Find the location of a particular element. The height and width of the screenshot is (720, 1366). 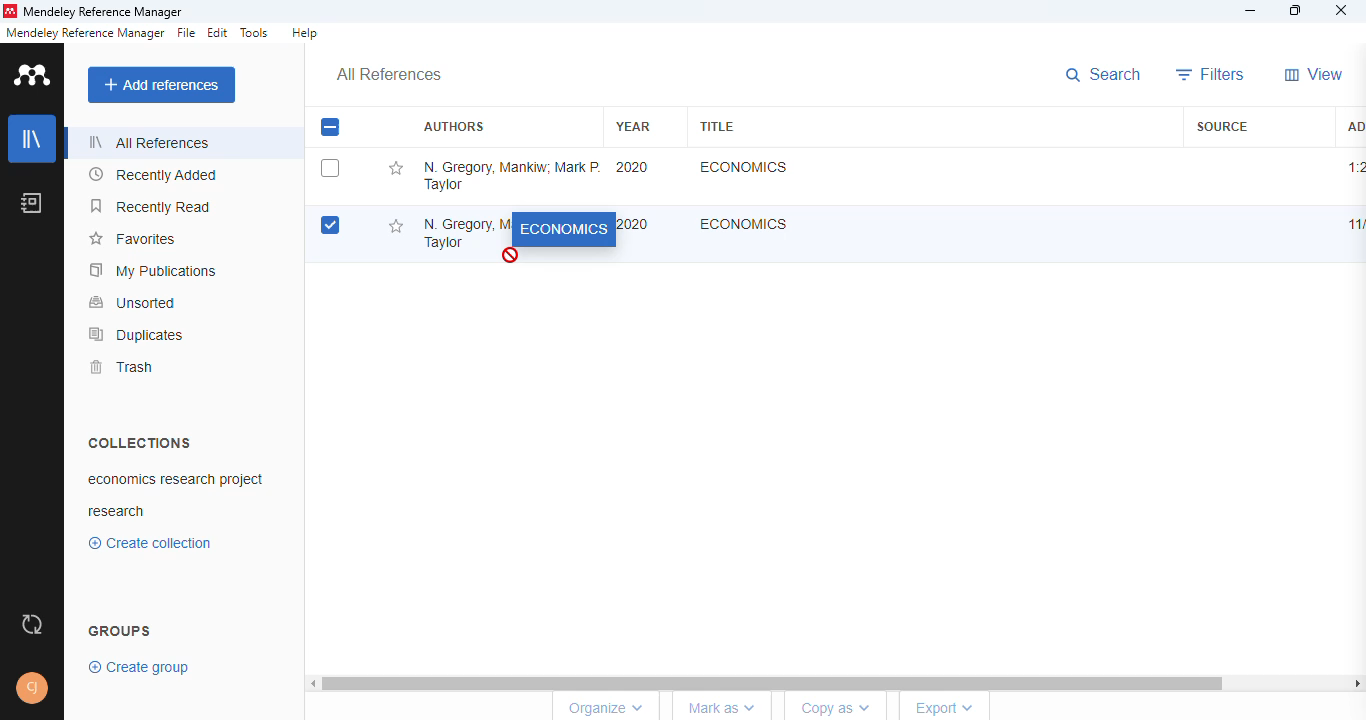

Economics is located at coordinates (741, 167).